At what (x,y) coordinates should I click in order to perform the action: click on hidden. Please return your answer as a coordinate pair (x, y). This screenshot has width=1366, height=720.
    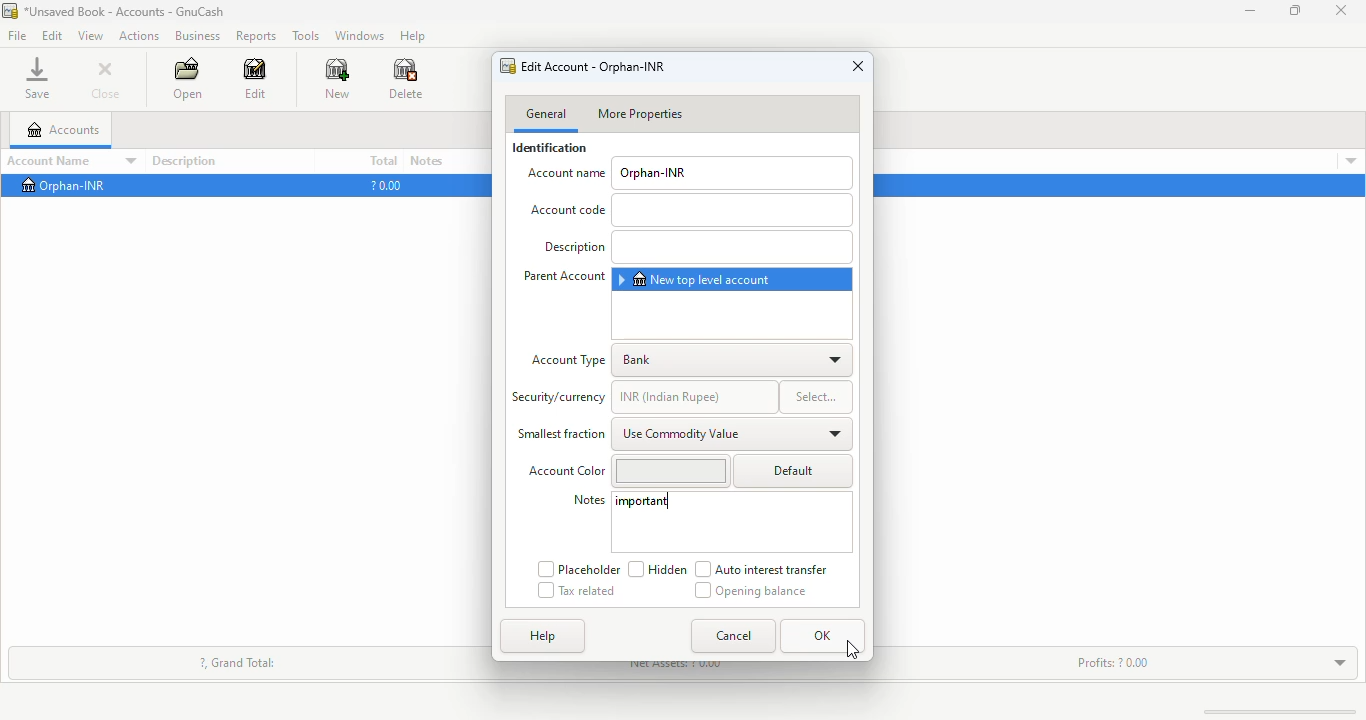
    Looking at the image, I should click on (657, 569).